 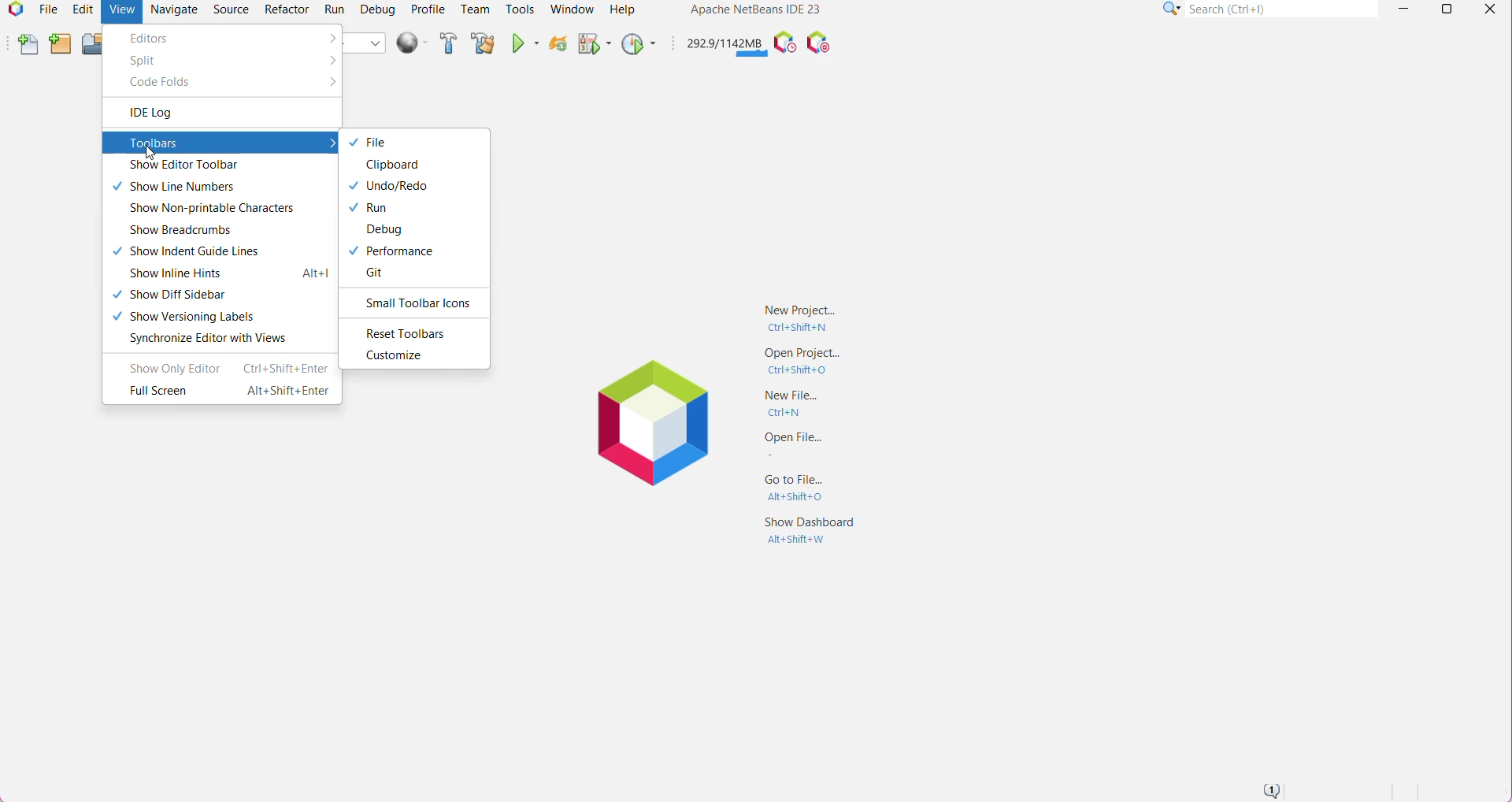 I want to click on Git, so click(x=375, y=274).